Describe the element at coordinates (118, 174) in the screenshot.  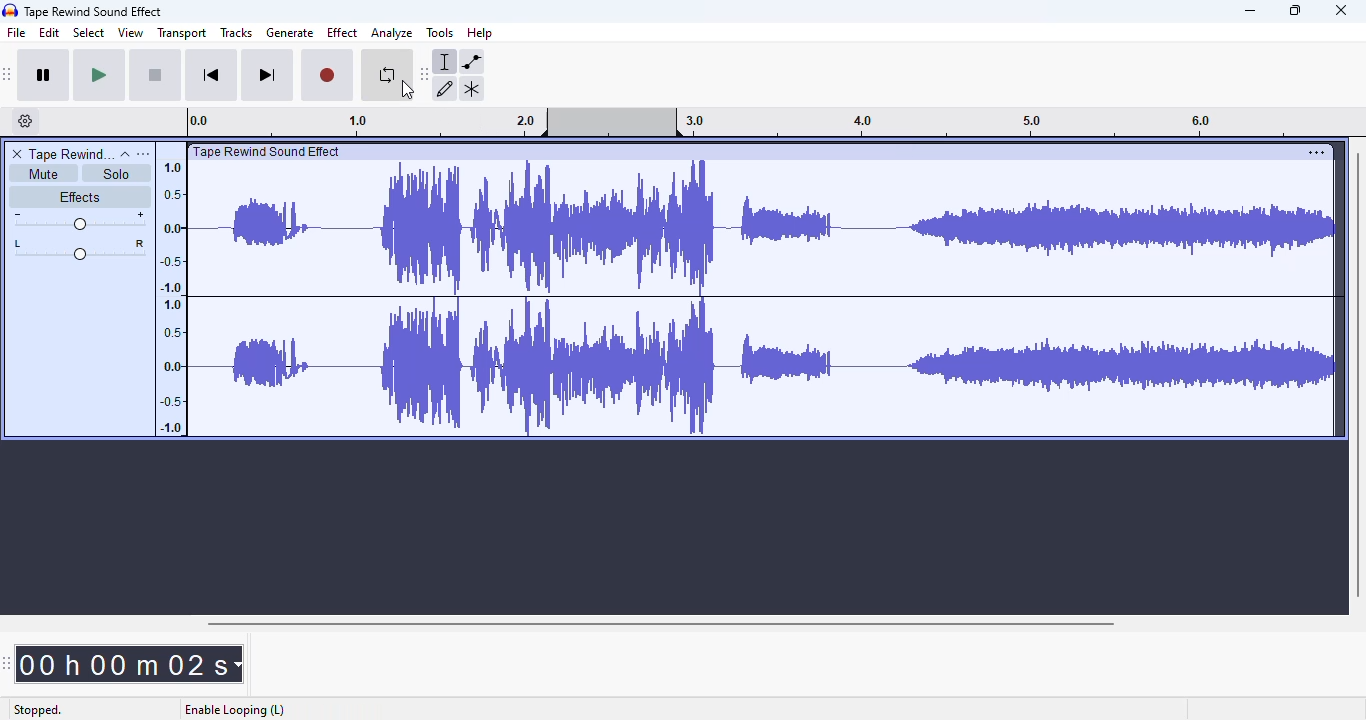
I see `solo` at that location.